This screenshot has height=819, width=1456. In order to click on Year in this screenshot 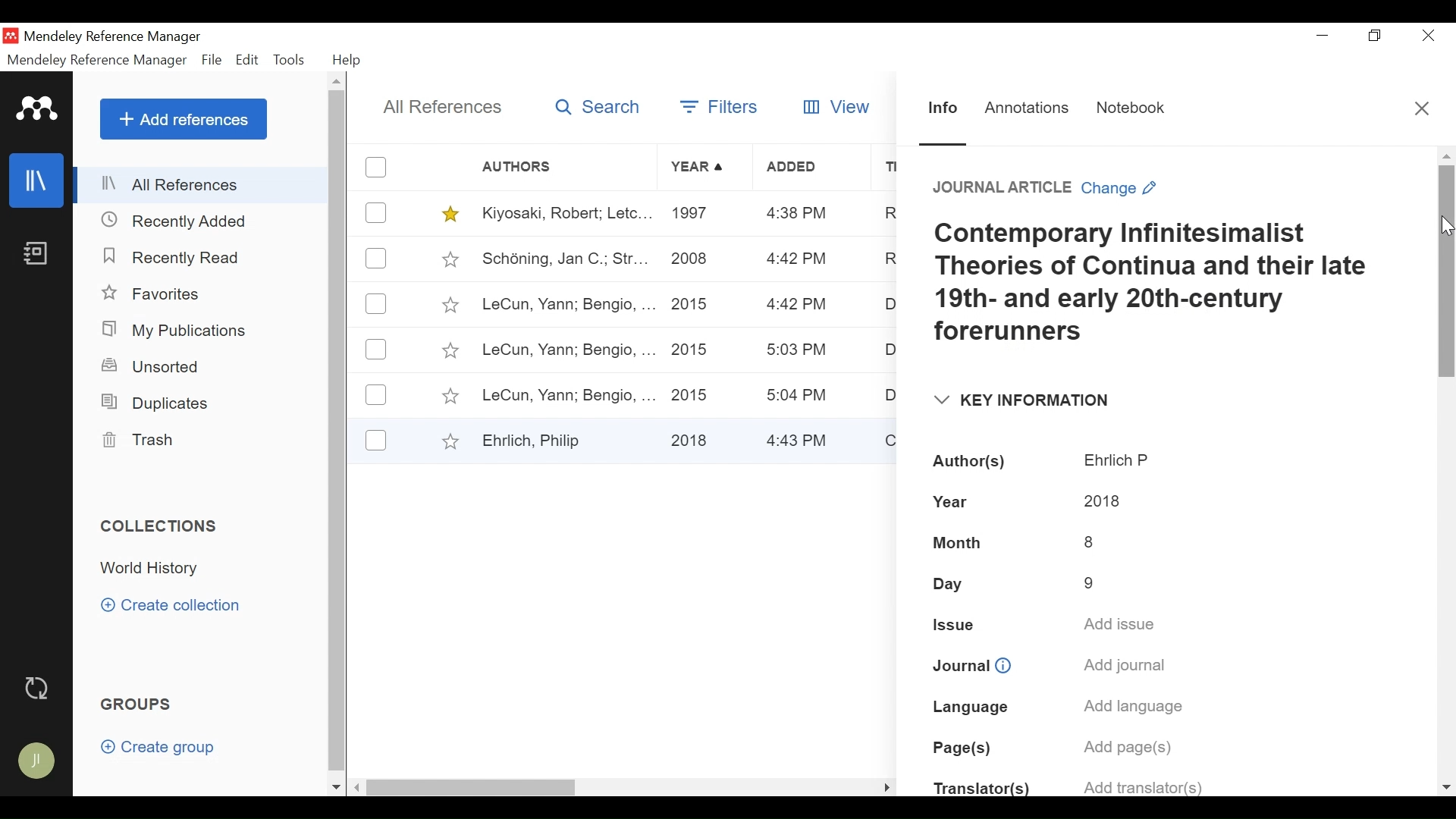, I will do `click(962, 503)`.